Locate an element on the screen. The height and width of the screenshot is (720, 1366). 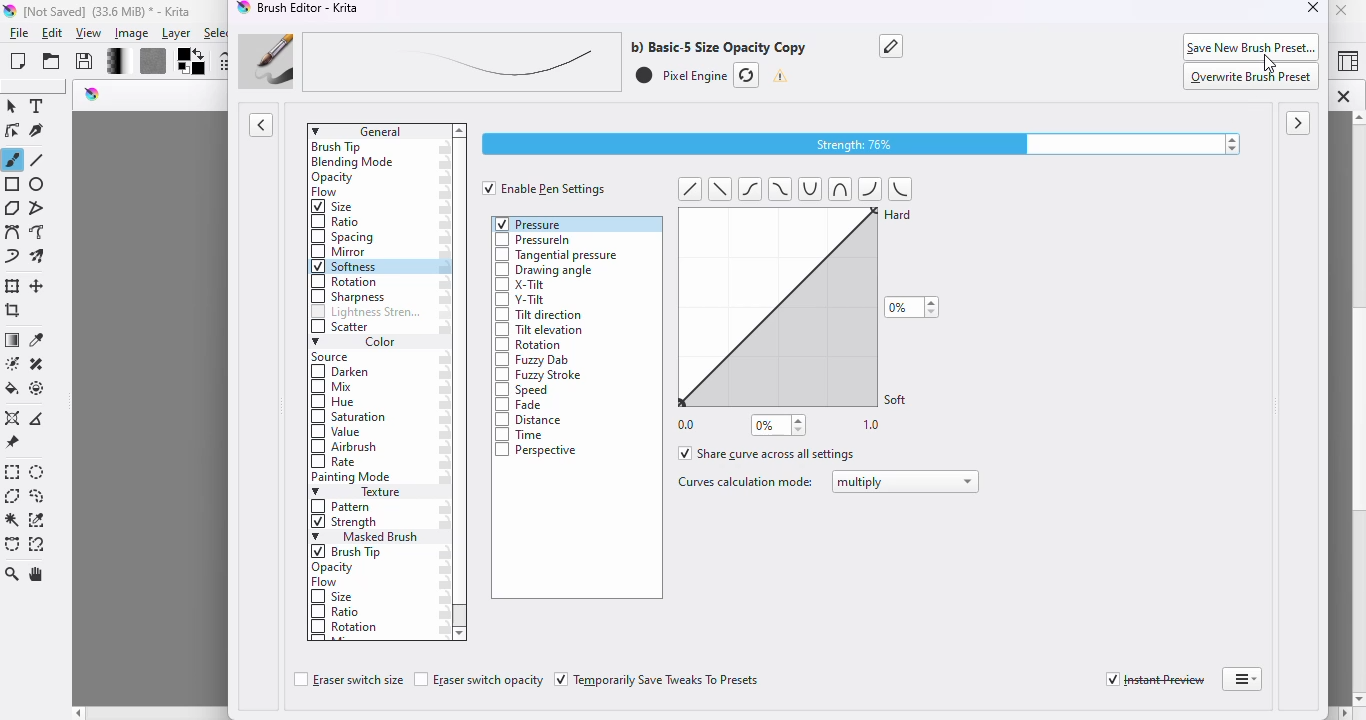
save is located at coordinates (85, 61).